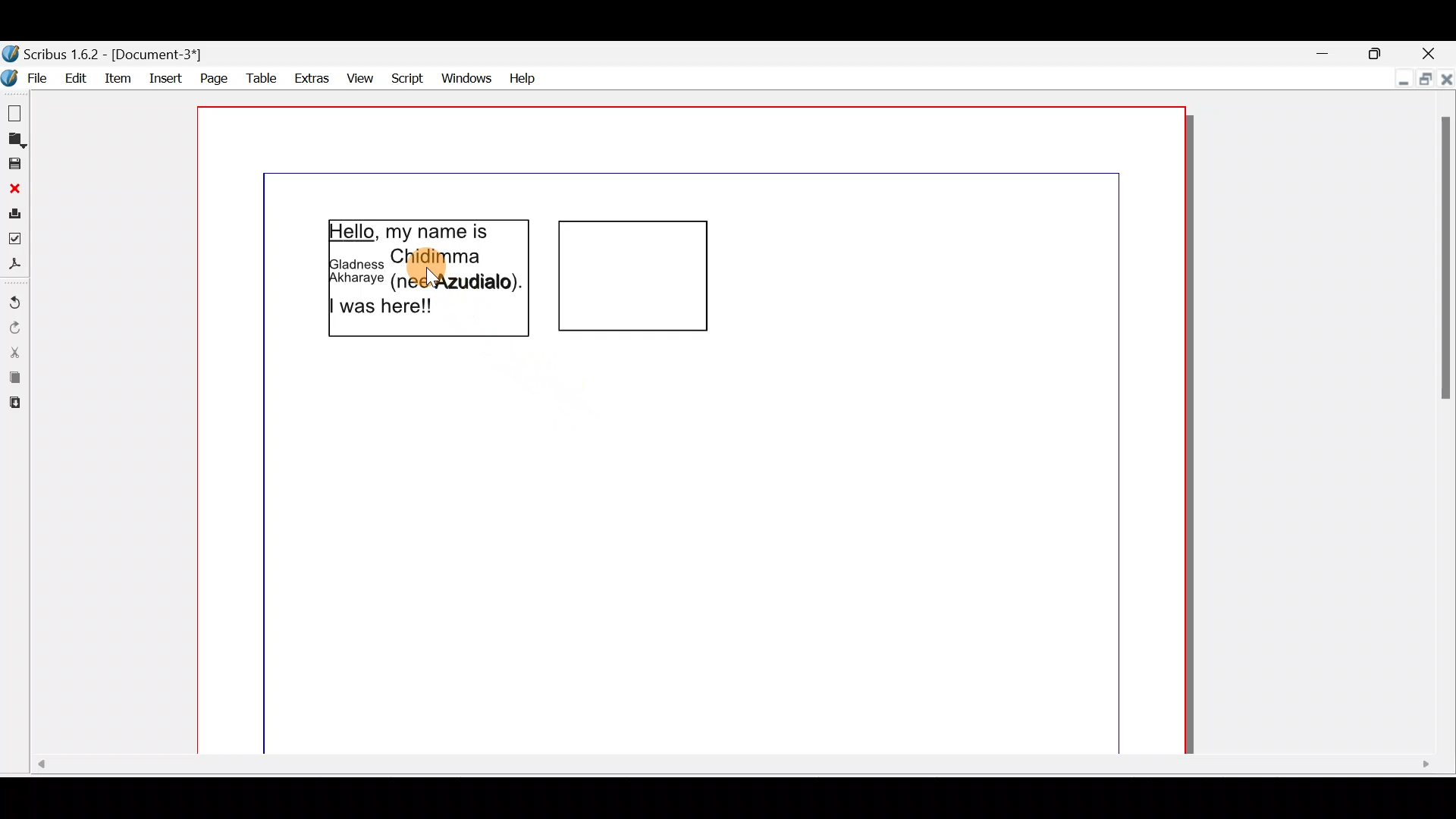 This screenshot has height=819, width=1456. Describe the element at coordinates (14, 378) in the screenshot. I see `Copy` at that location.